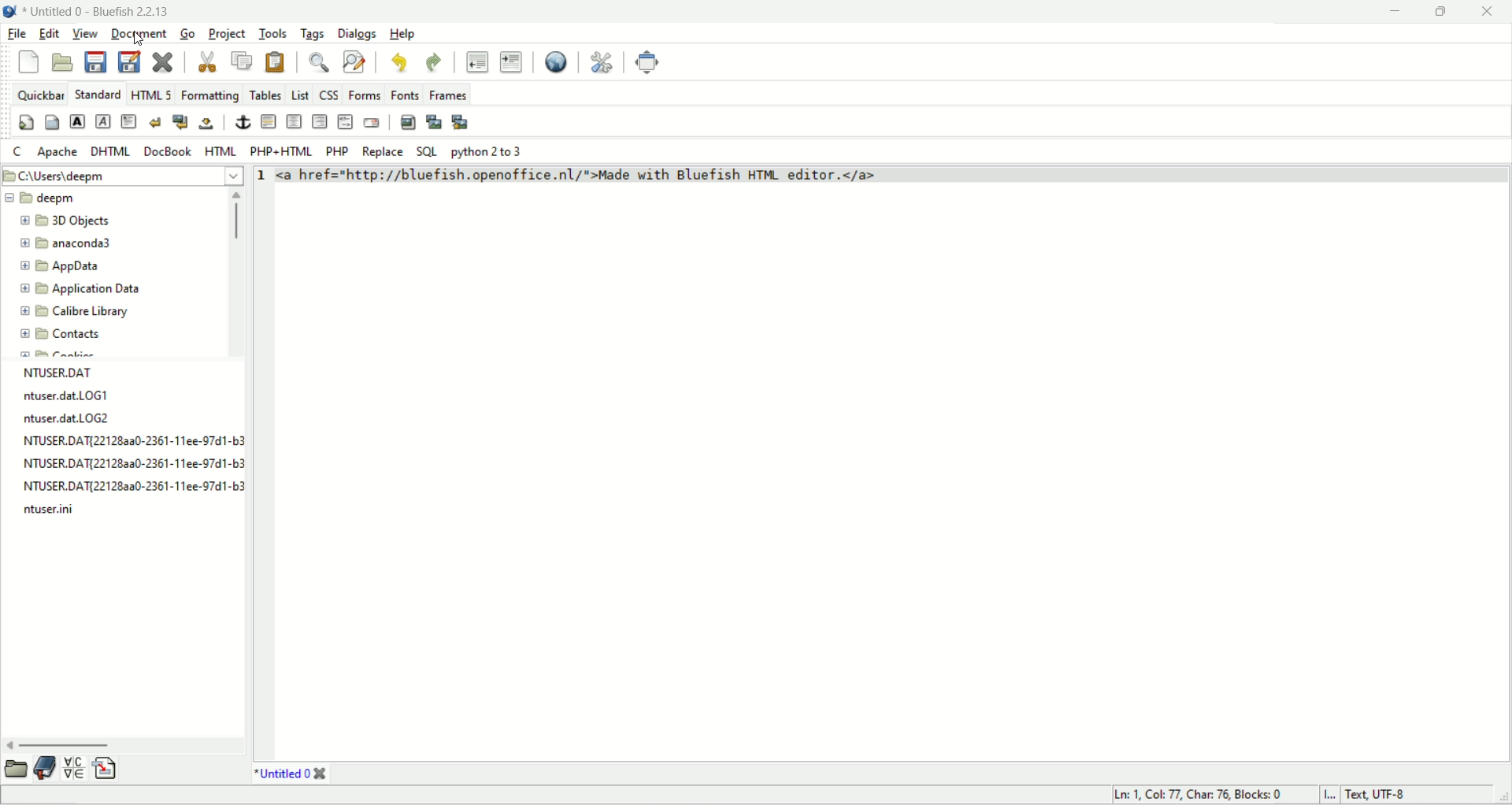  Describe the element at coordinates (121, 176) in the screenshot. I see `location` at that location.